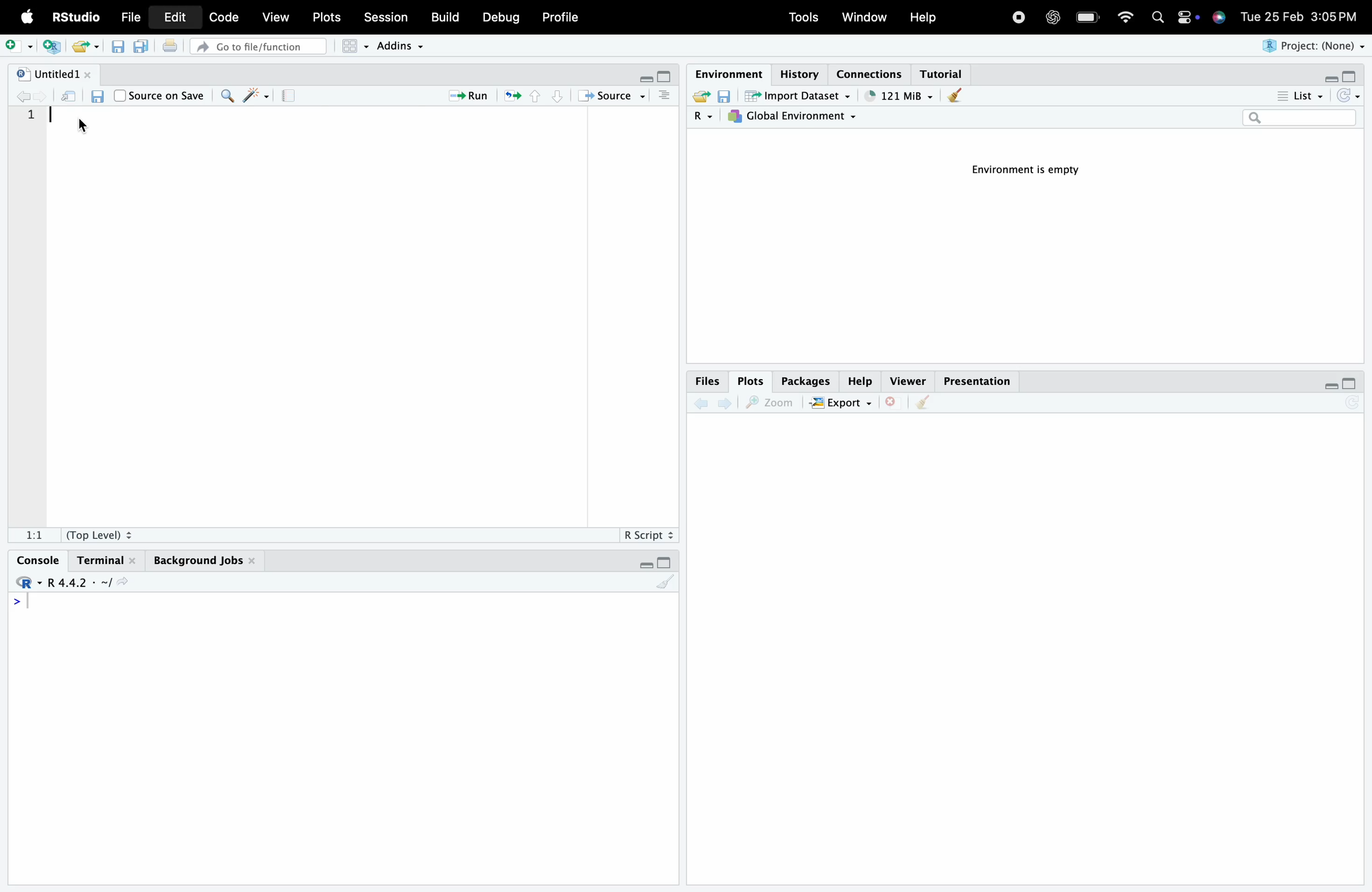 This screenshot has width=1372, height=892. Describe the element at coordinates (1159, 18) in the screenshot. I see `Search` at that location.